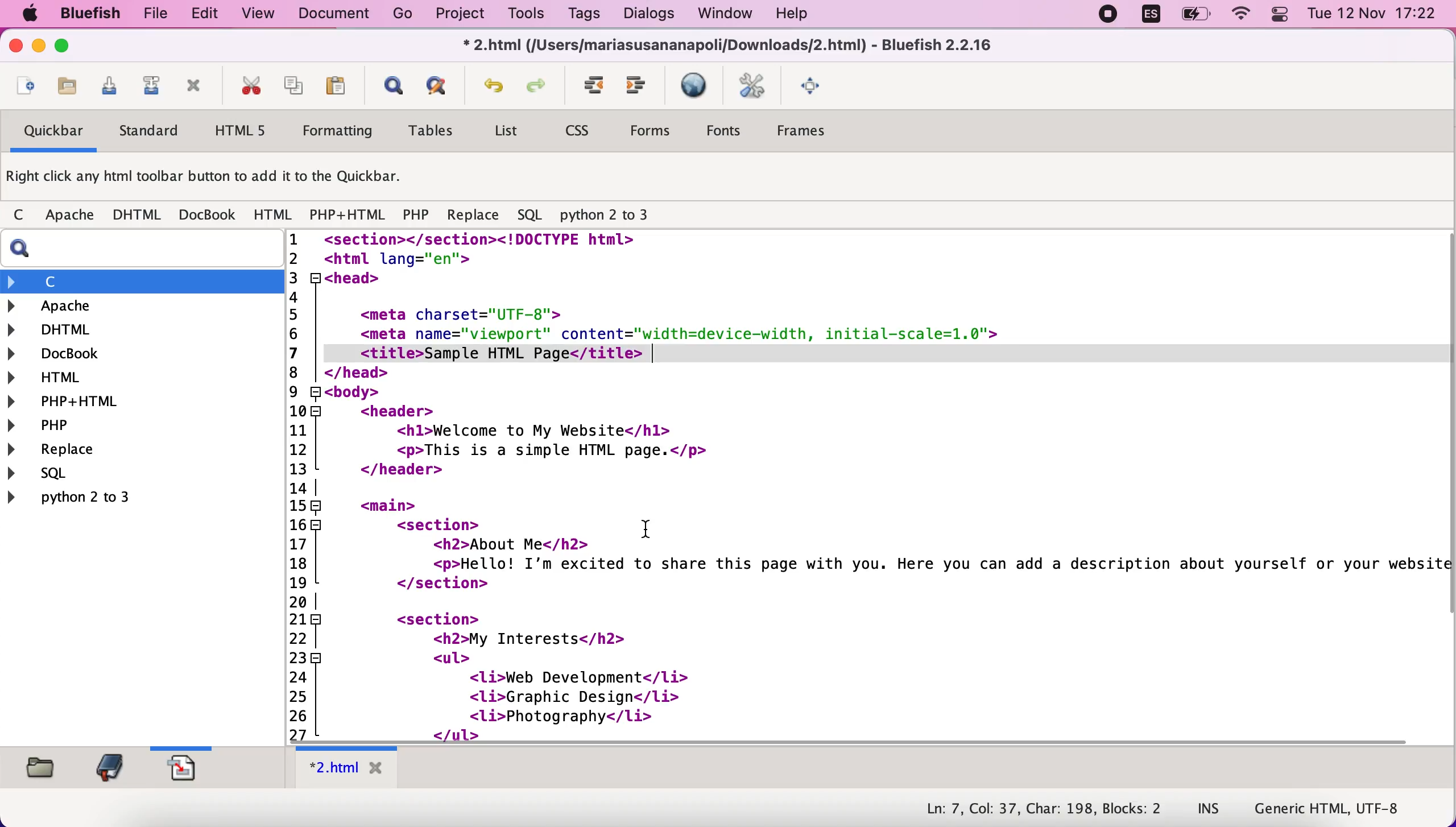  Describe the element at coordinates (1107, 16) in the screenshot. I see `recording` at that location.